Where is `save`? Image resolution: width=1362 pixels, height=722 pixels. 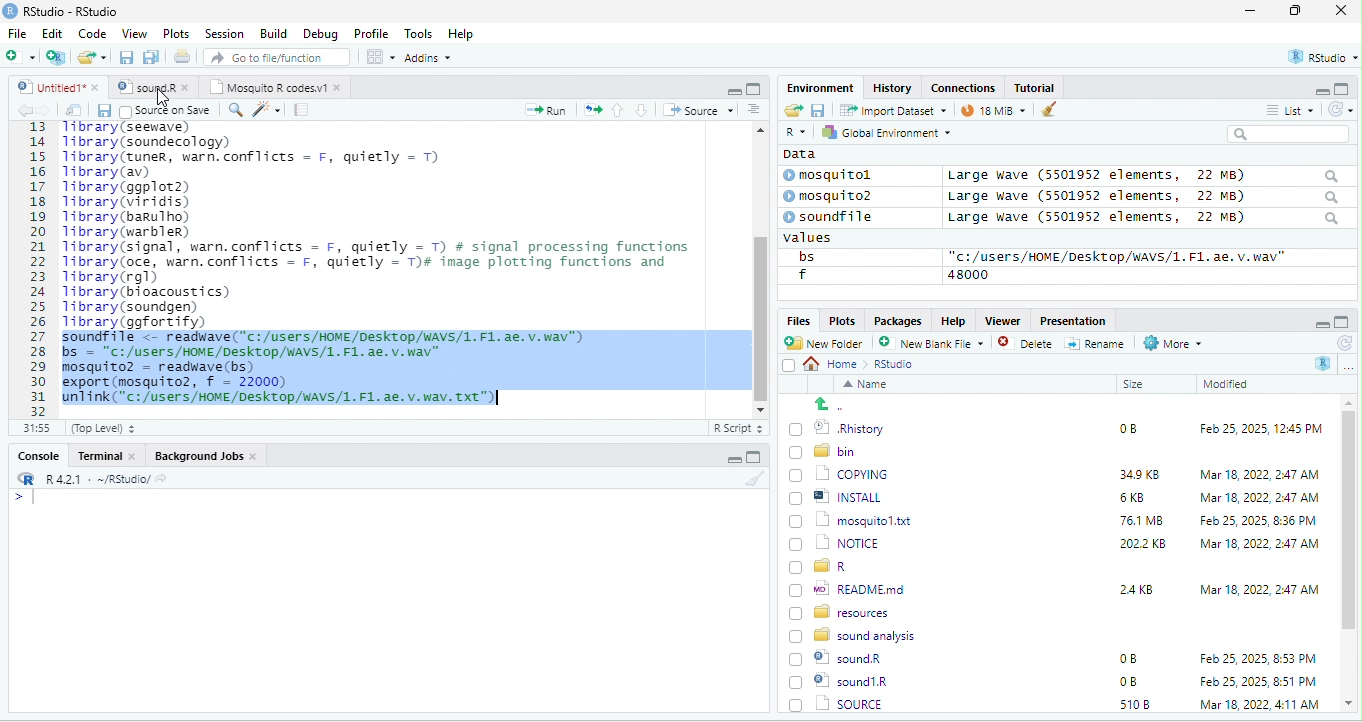 save is located at coordinates (817, 109).